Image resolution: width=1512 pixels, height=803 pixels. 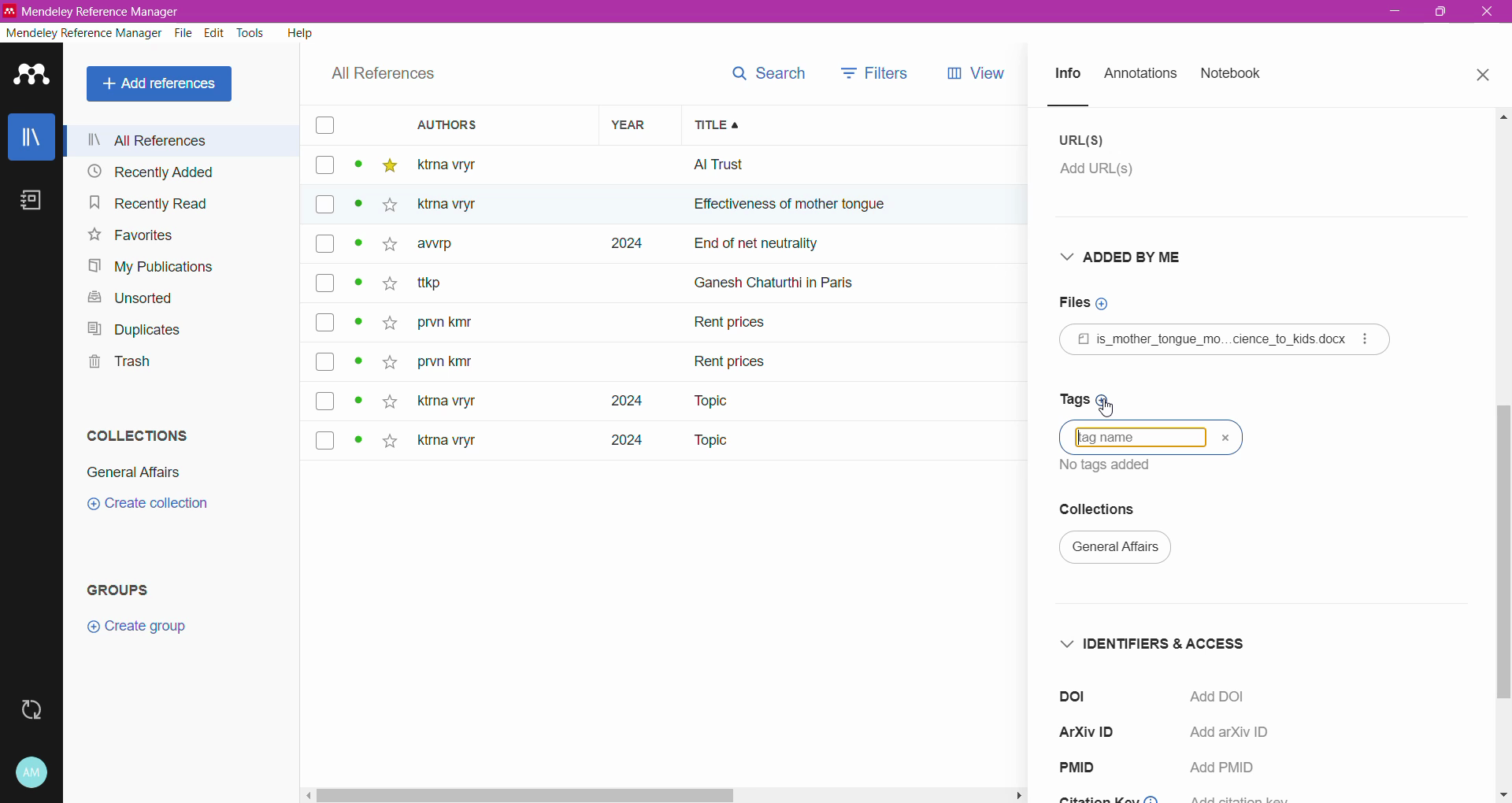 I want to click on Collections, so click(x=1113, y=509).